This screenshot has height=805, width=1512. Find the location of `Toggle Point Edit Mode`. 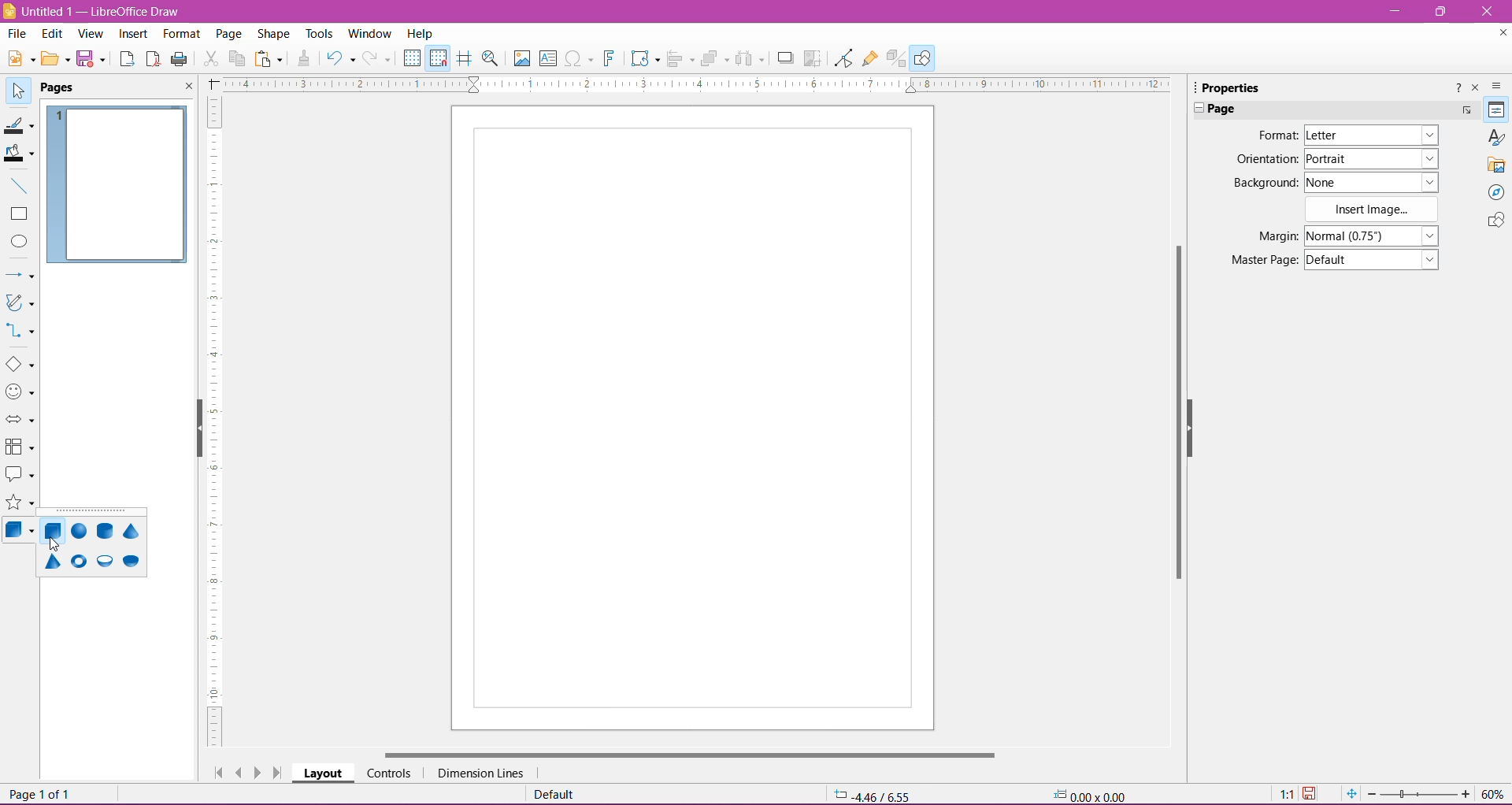

Toggle Point Edit Mode is located at coordinates (843, 58).